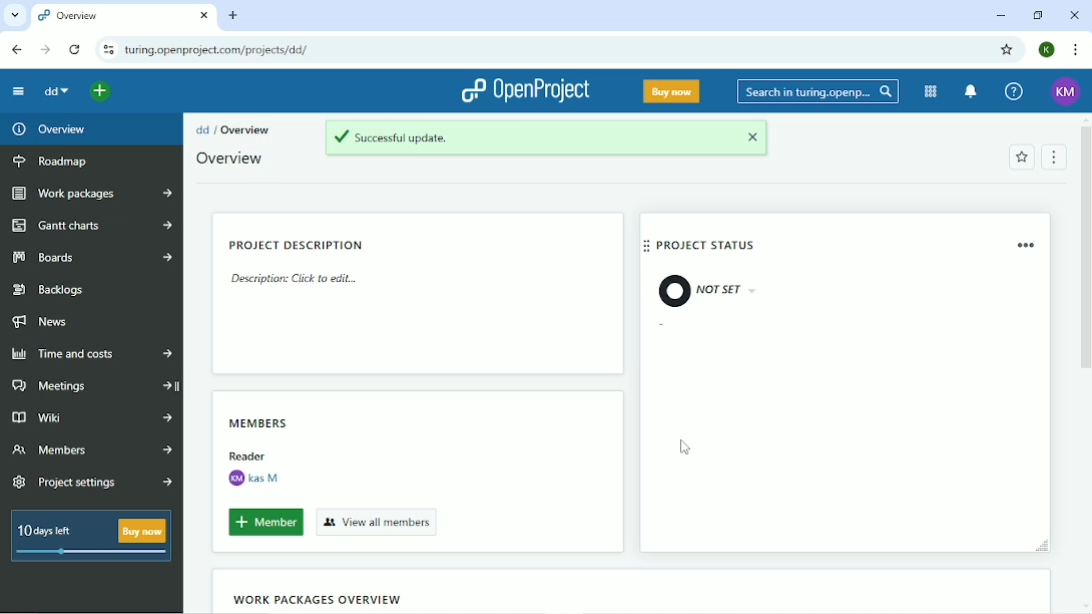 This screenshot has width=1092, height=614. What do you see at coordinates (298, 244) in the screenshot?
I see `Project description` at bounding box center [298, 244].